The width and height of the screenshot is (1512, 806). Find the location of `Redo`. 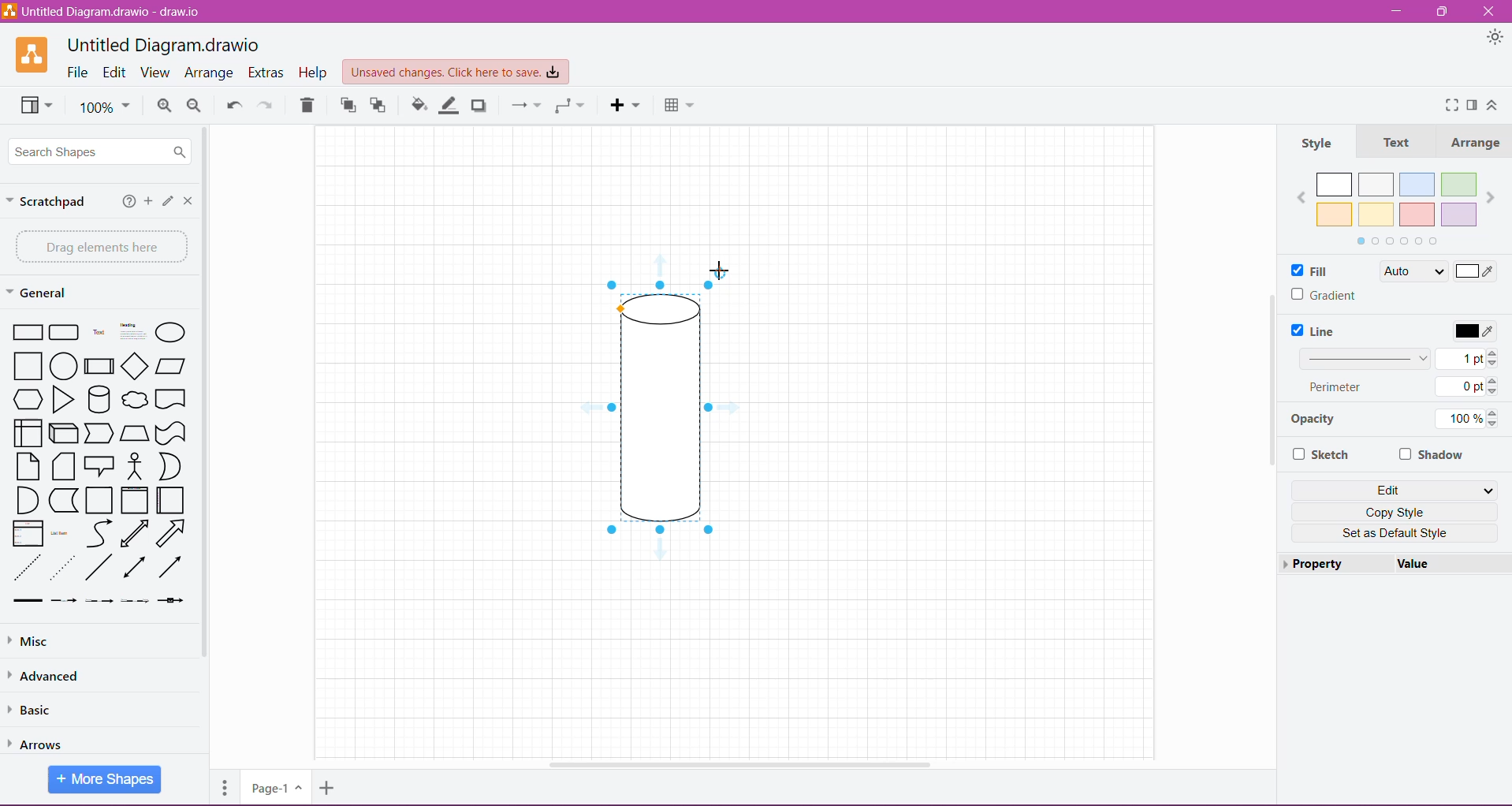

Redo is located at coordinates (268, 106).